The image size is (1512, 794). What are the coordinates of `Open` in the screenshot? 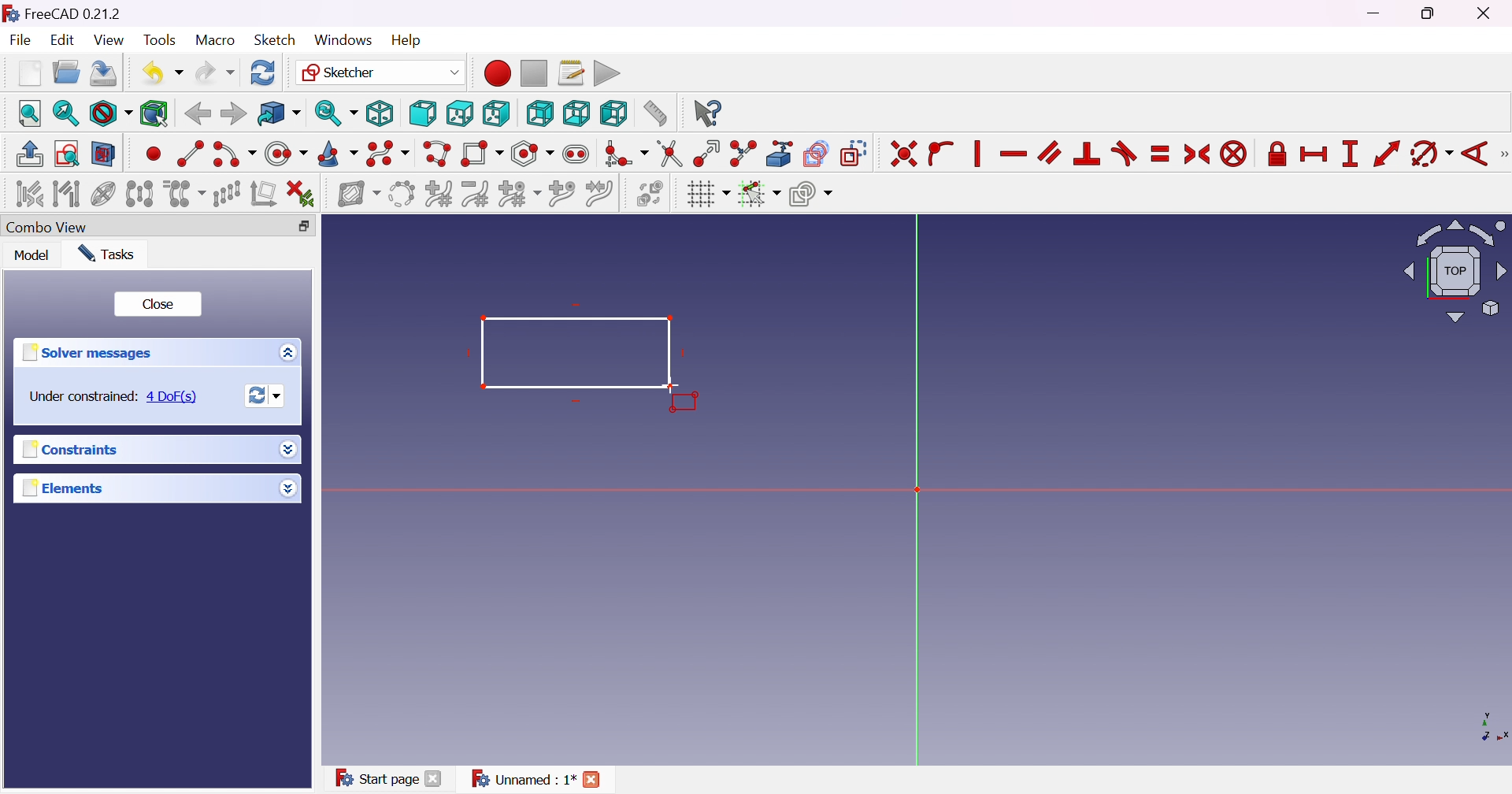 It's located at (65, 72).